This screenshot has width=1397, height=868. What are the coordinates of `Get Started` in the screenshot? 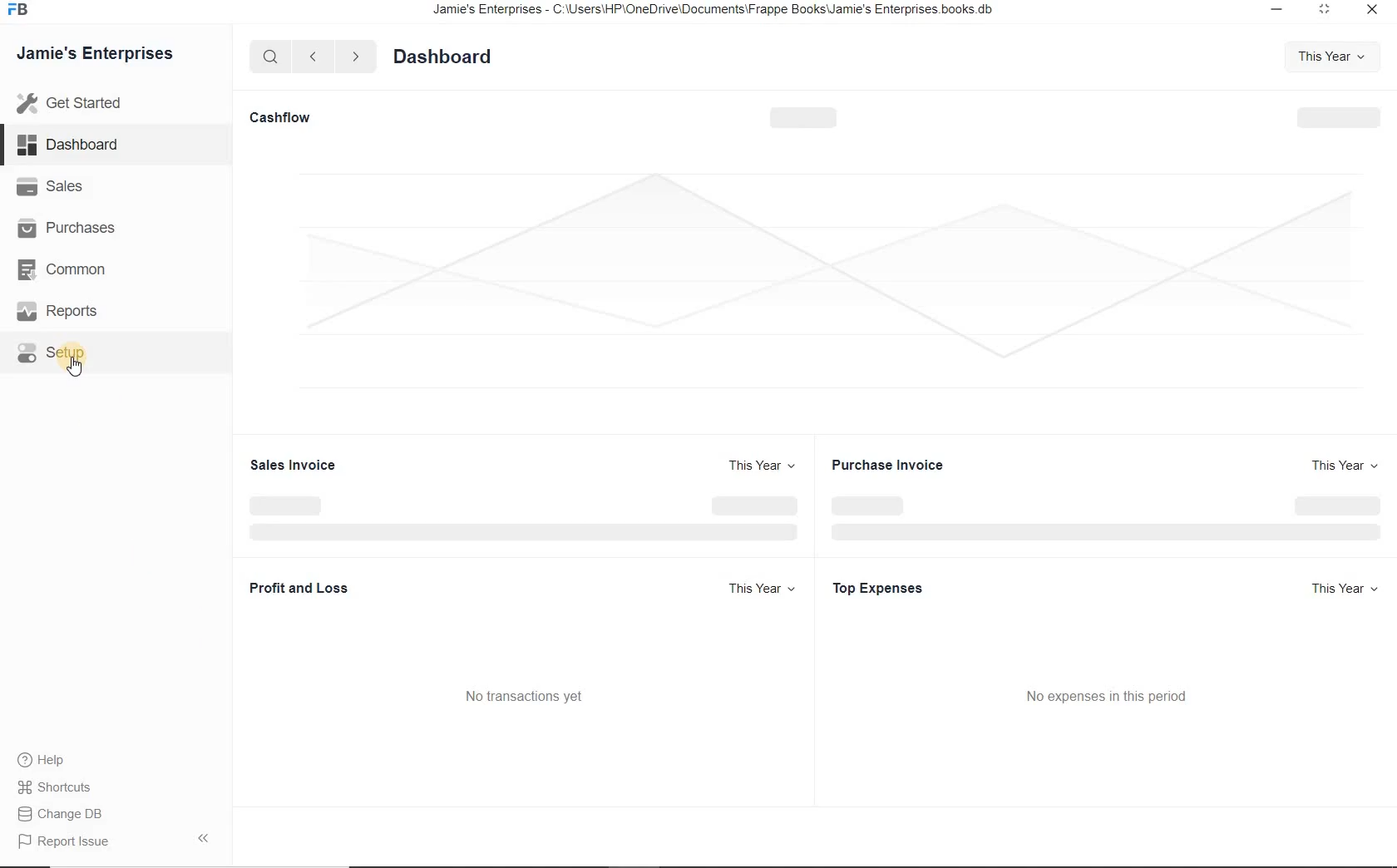 It's located at (106, 103).